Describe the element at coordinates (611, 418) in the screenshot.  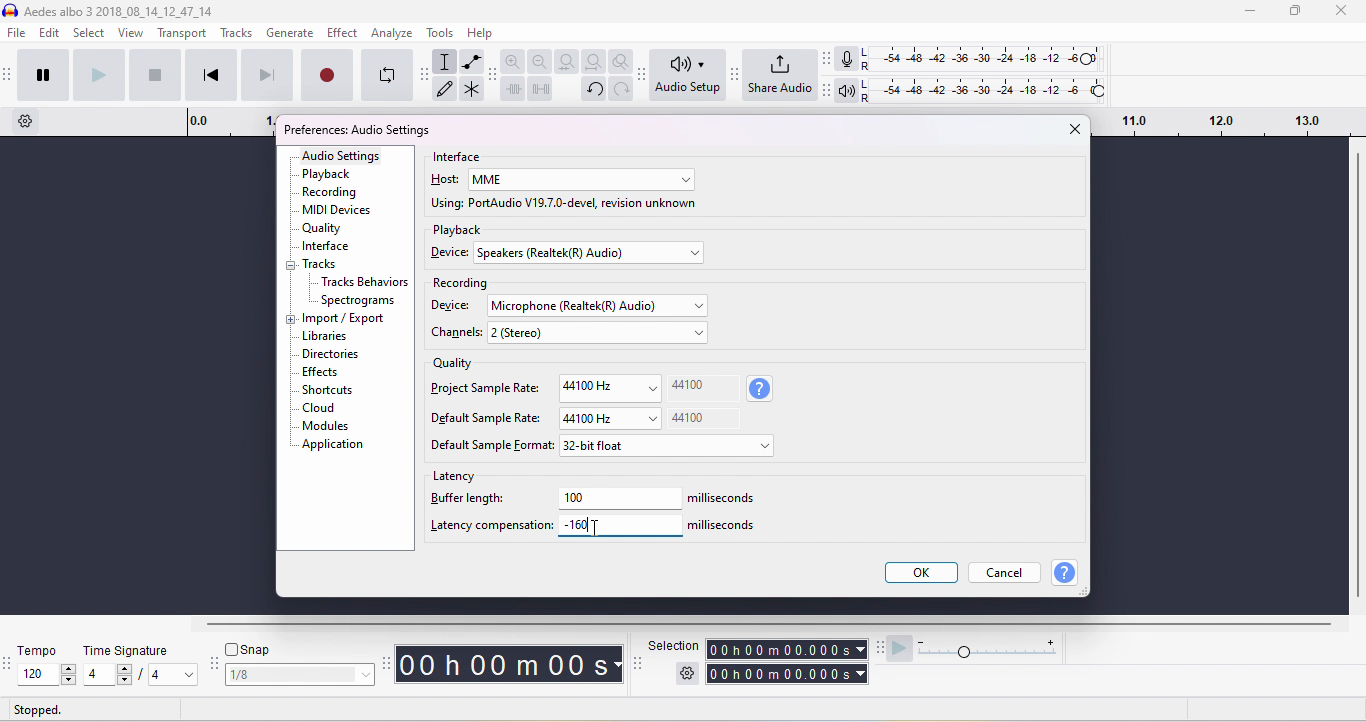
I see `44100 Hz` at that location.